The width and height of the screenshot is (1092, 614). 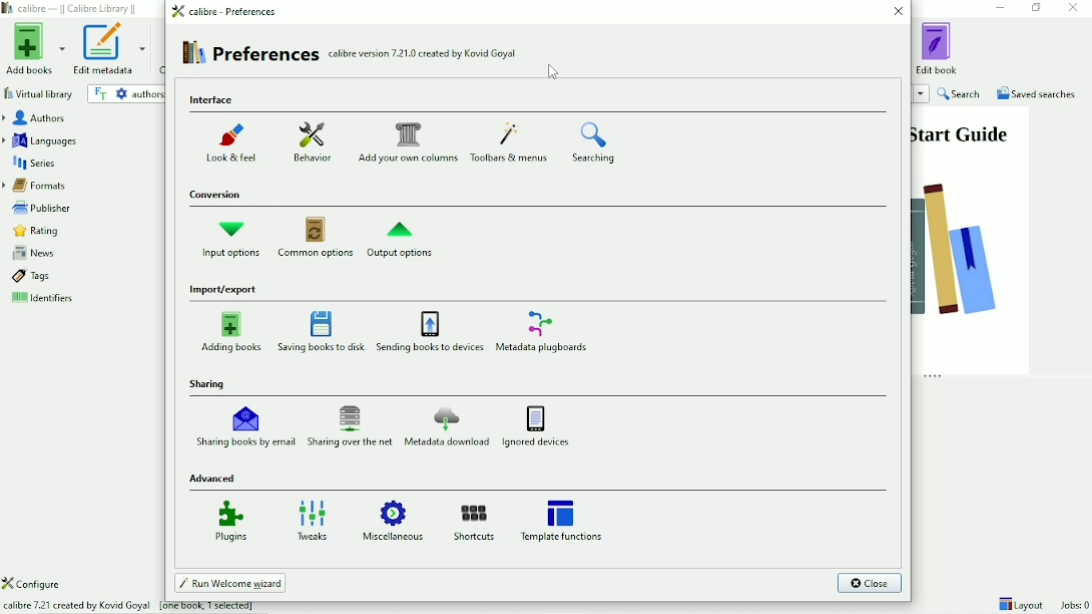 I want to click on Tags, so click(x=78, y=277).